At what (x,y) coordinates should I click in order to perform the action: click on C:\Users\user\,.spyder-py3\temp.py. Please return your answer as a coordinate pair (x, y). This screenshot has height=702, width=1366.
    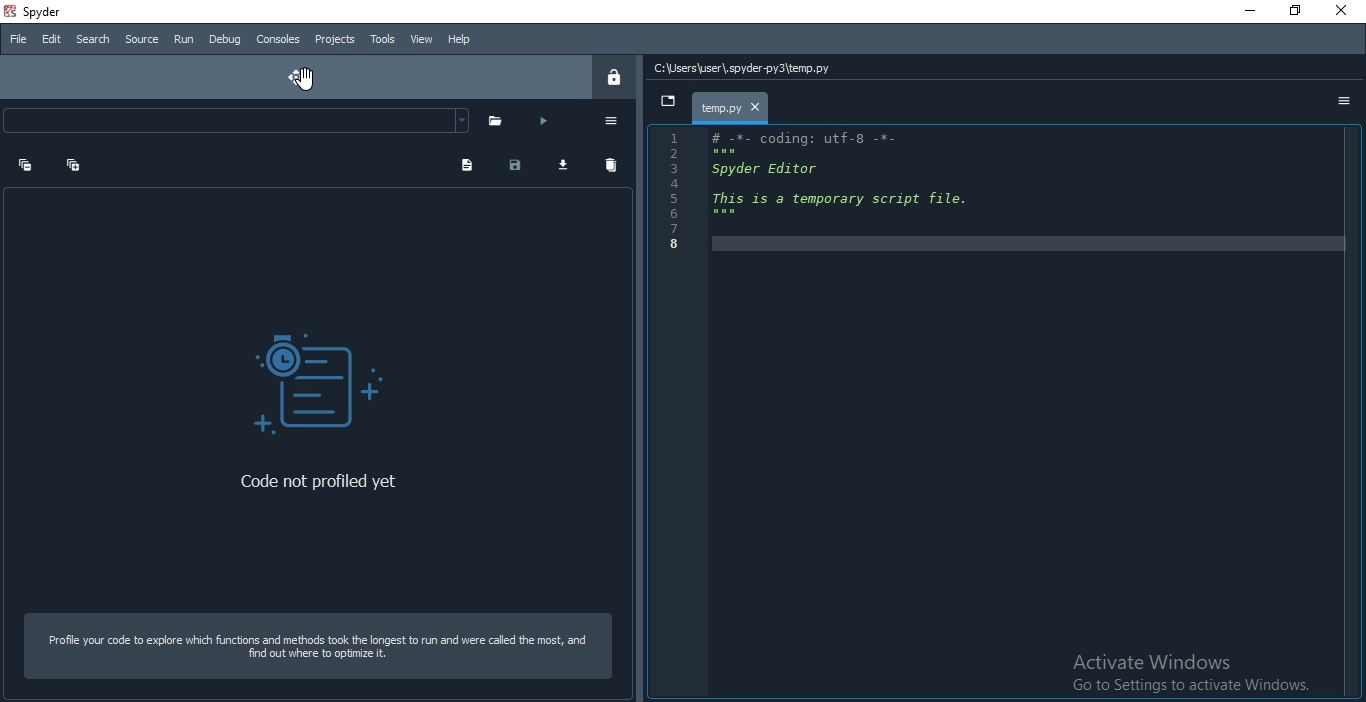
    Looking at the image, I should click on (744, 68).